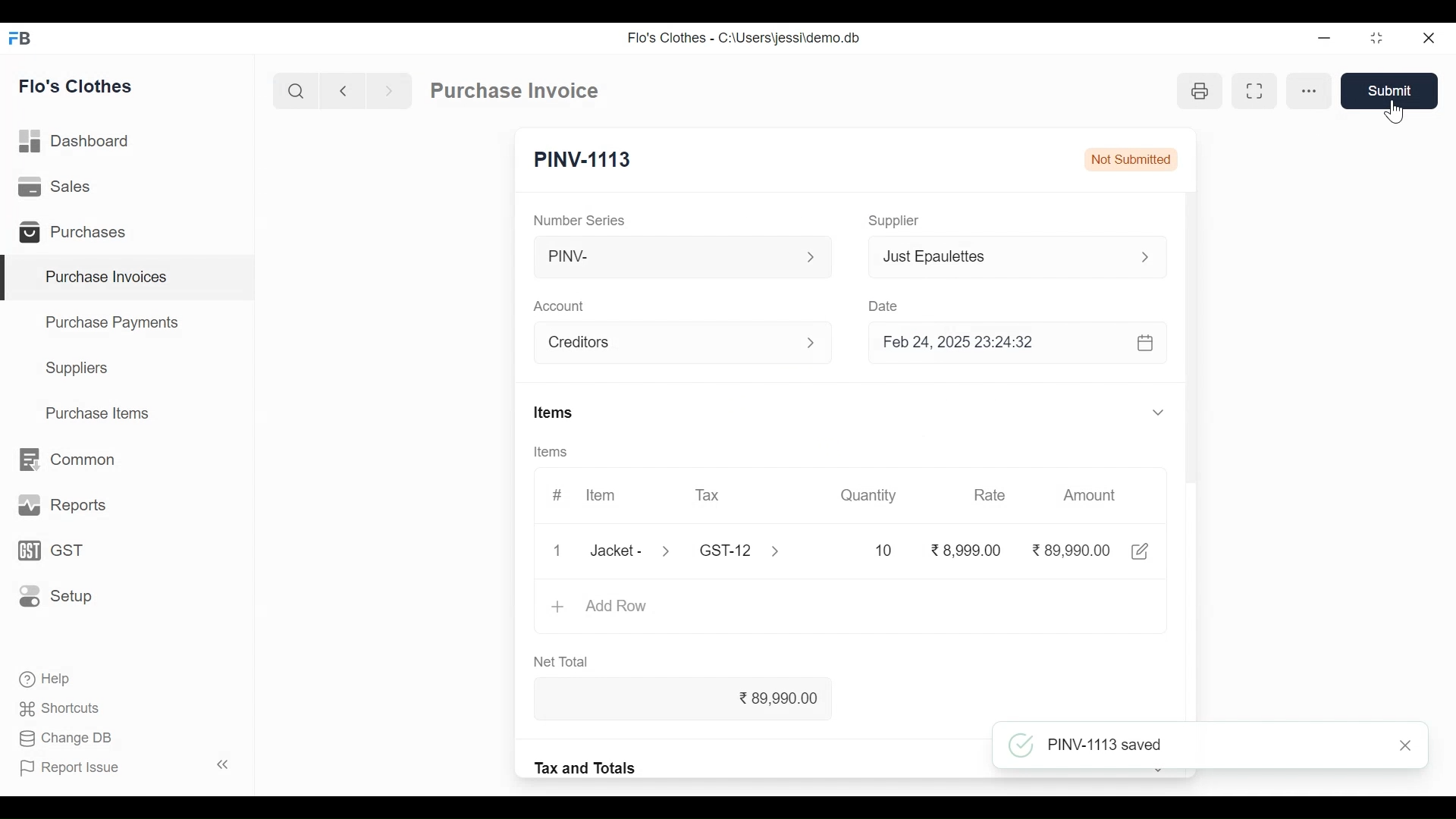 The width and height of the screenshot is (1456, 819). What do you see at coordinates (670, 551) in the screenshot?
I see `Expand` at bounding box center [670, 551].